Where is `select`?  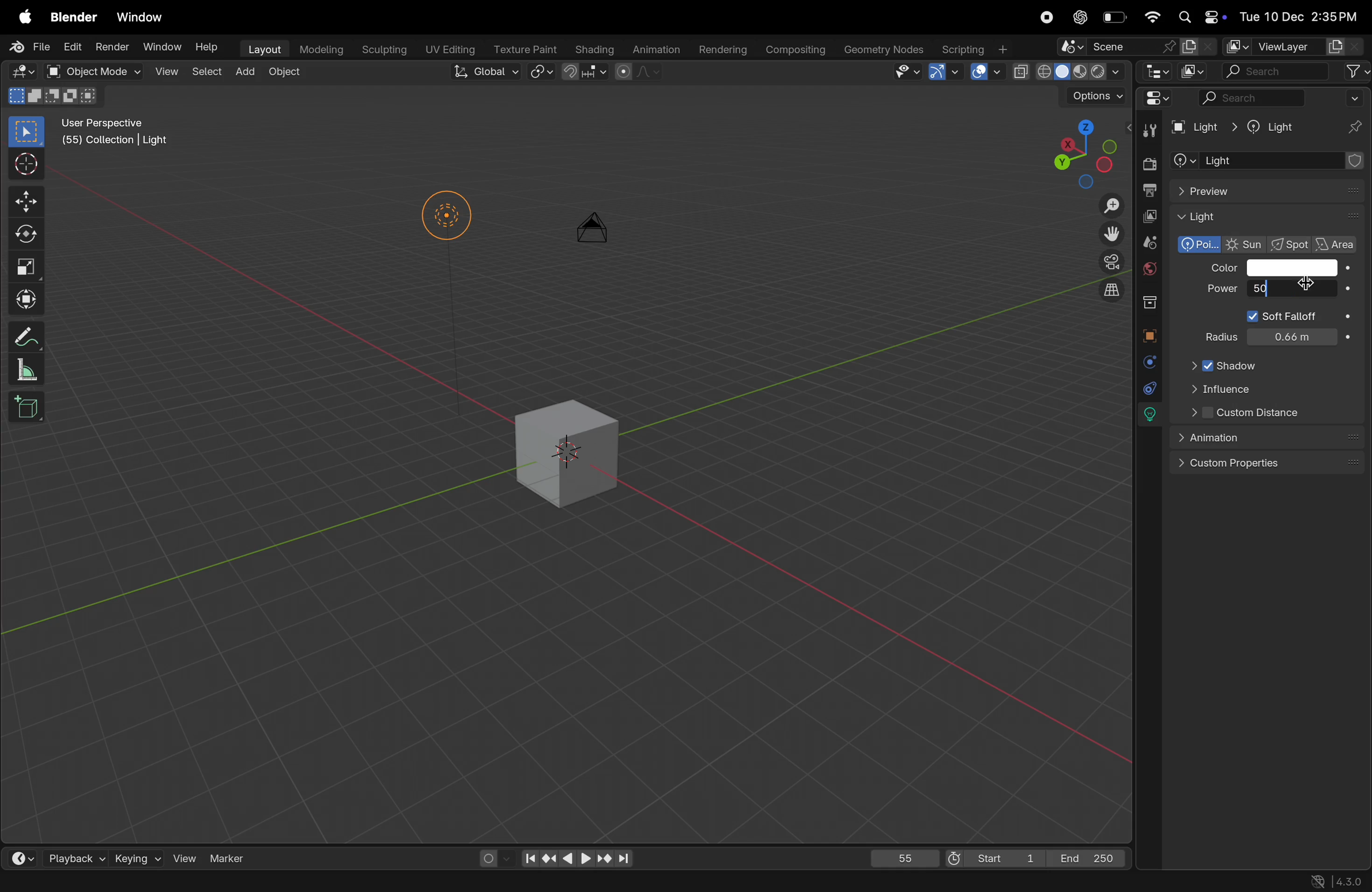
select is located at coordinates (27, 133).